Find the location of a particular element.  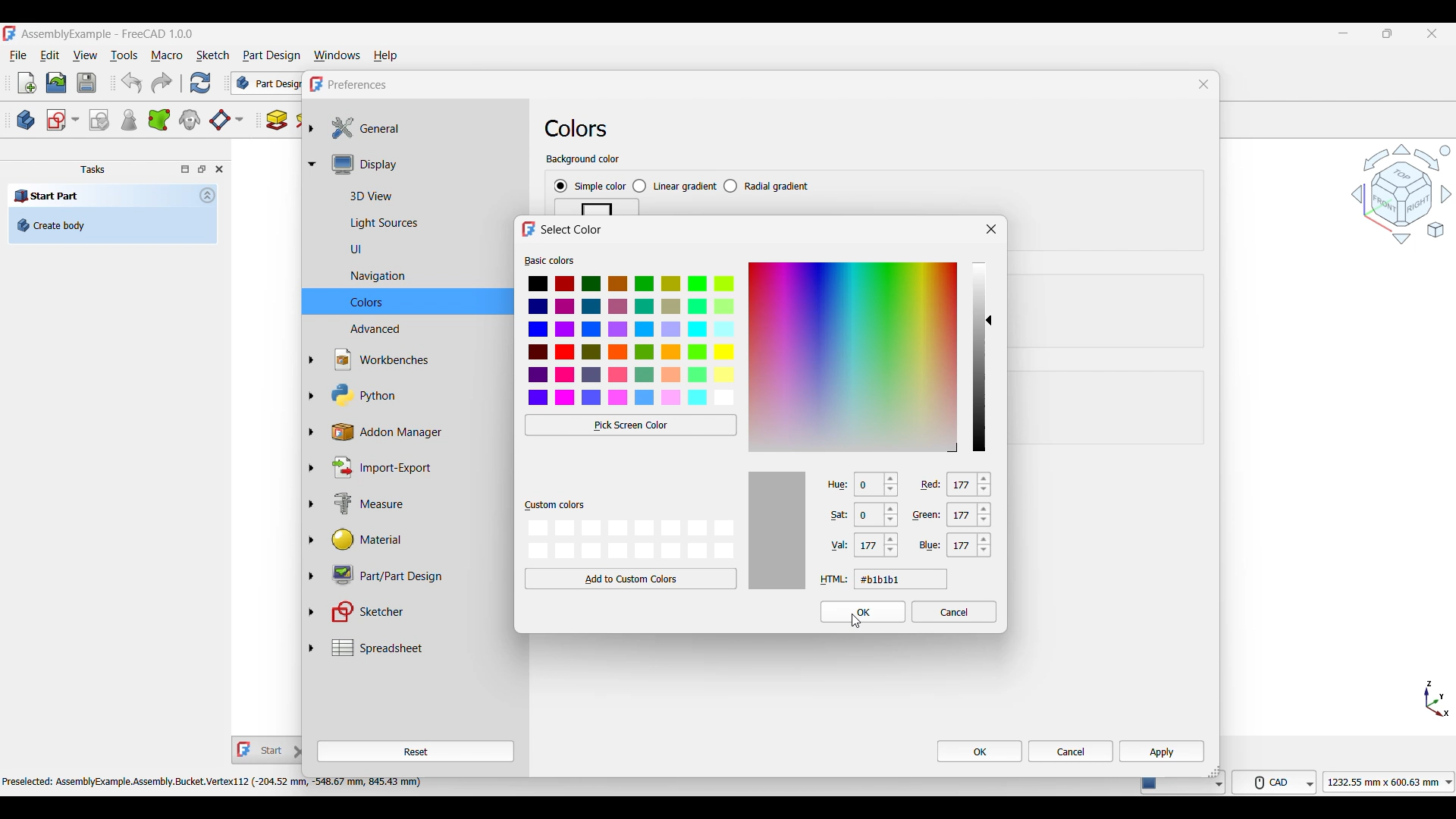

Preferences is located at coordinates (358, 85).